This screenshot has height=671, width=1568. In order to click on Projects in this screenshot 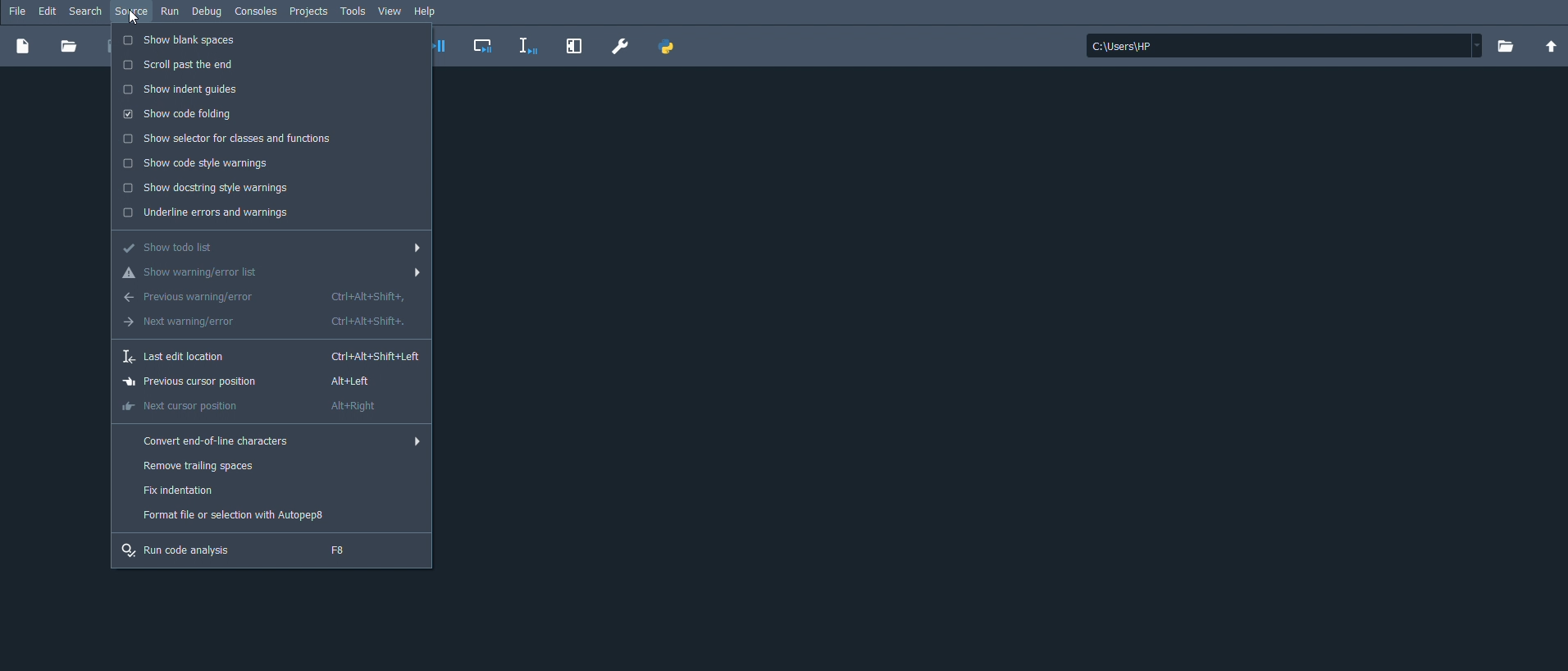, I will do `click(310, 12)`.